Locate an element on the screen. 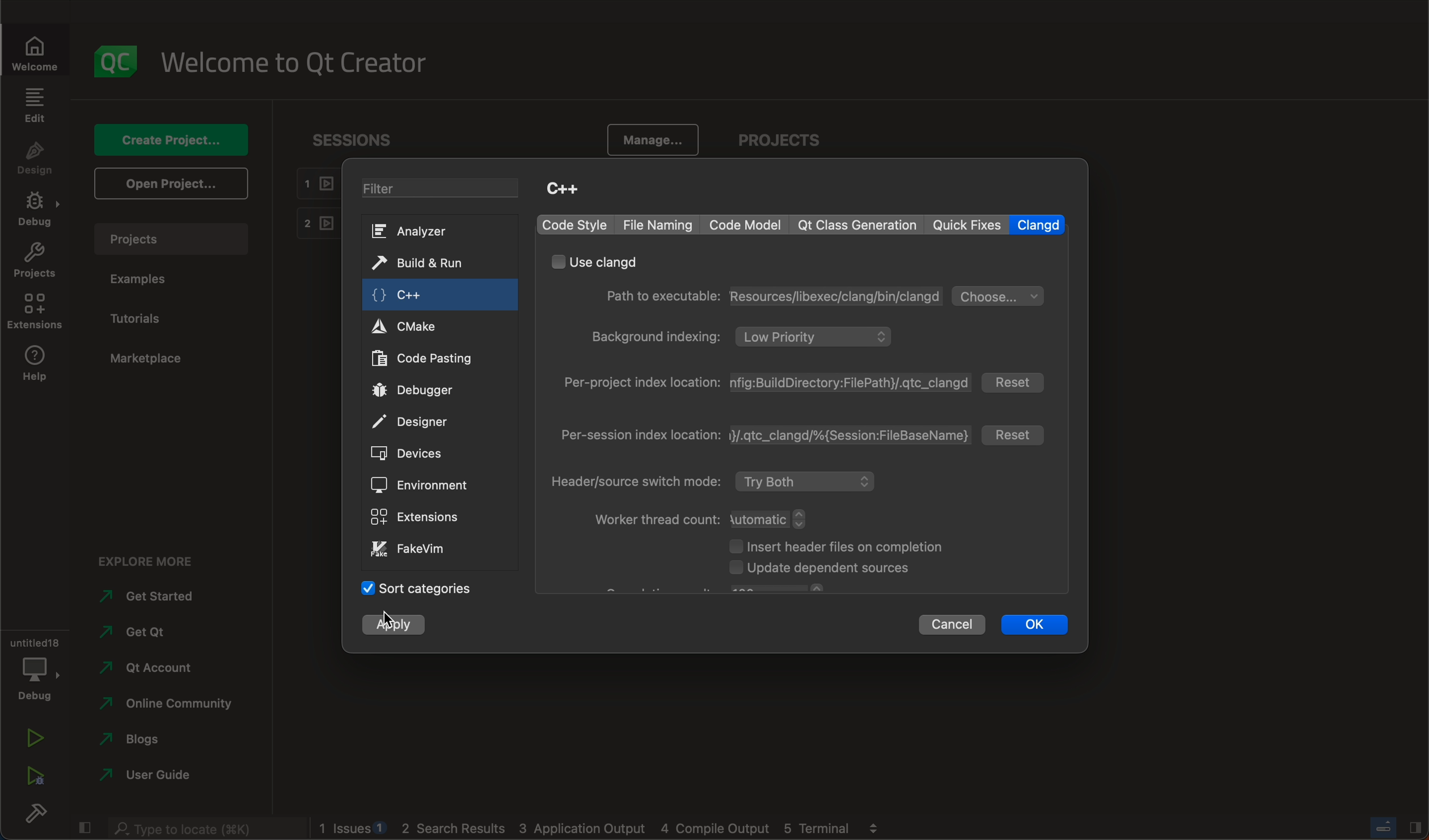 This screenshot has width=1429, height=840. clangd is located at coordinates (1038, 225).